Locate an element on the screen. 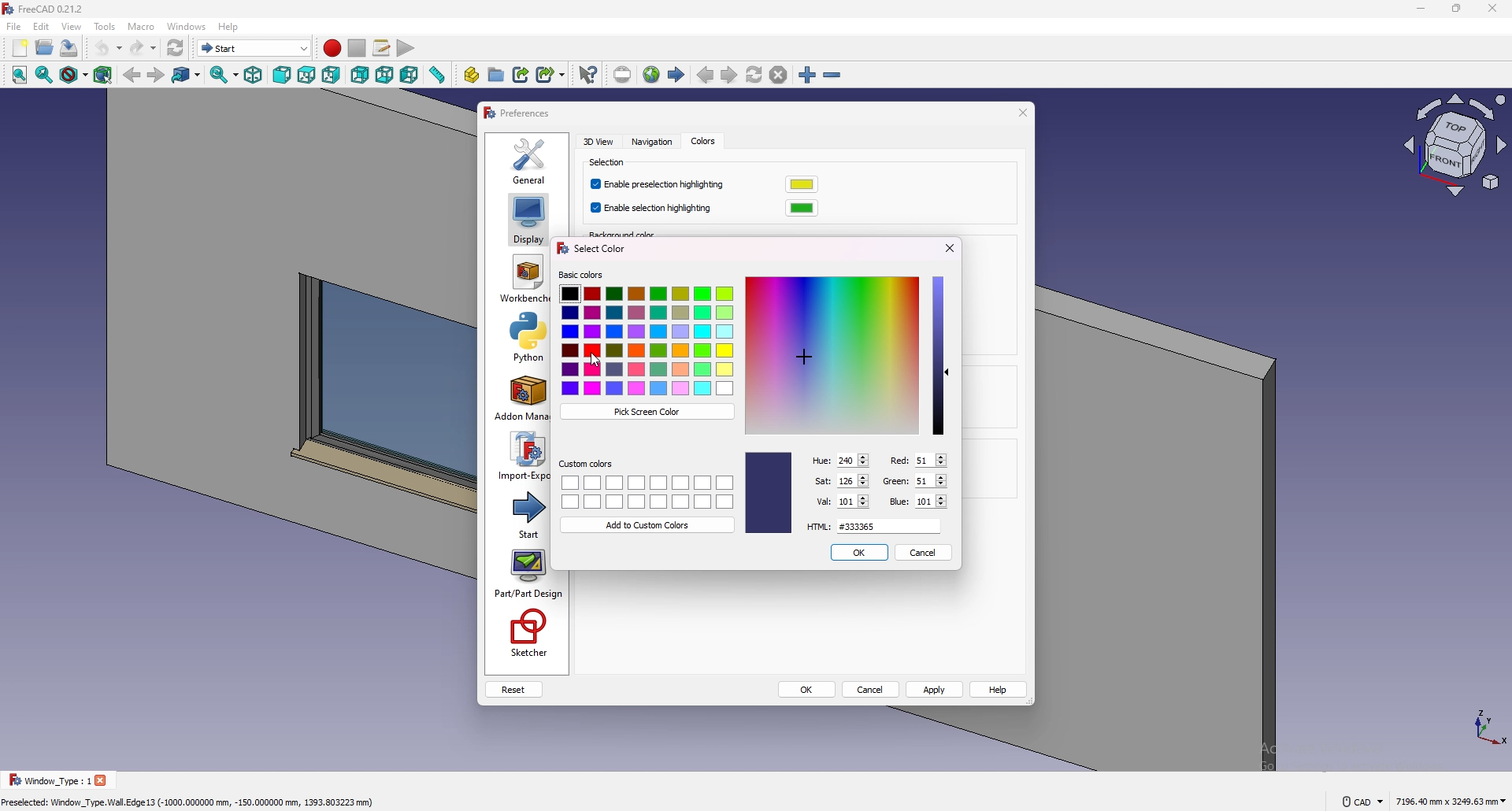 The width and height of the screenshot is (1512, 811). workbenches is located at coordinates (523, 279).